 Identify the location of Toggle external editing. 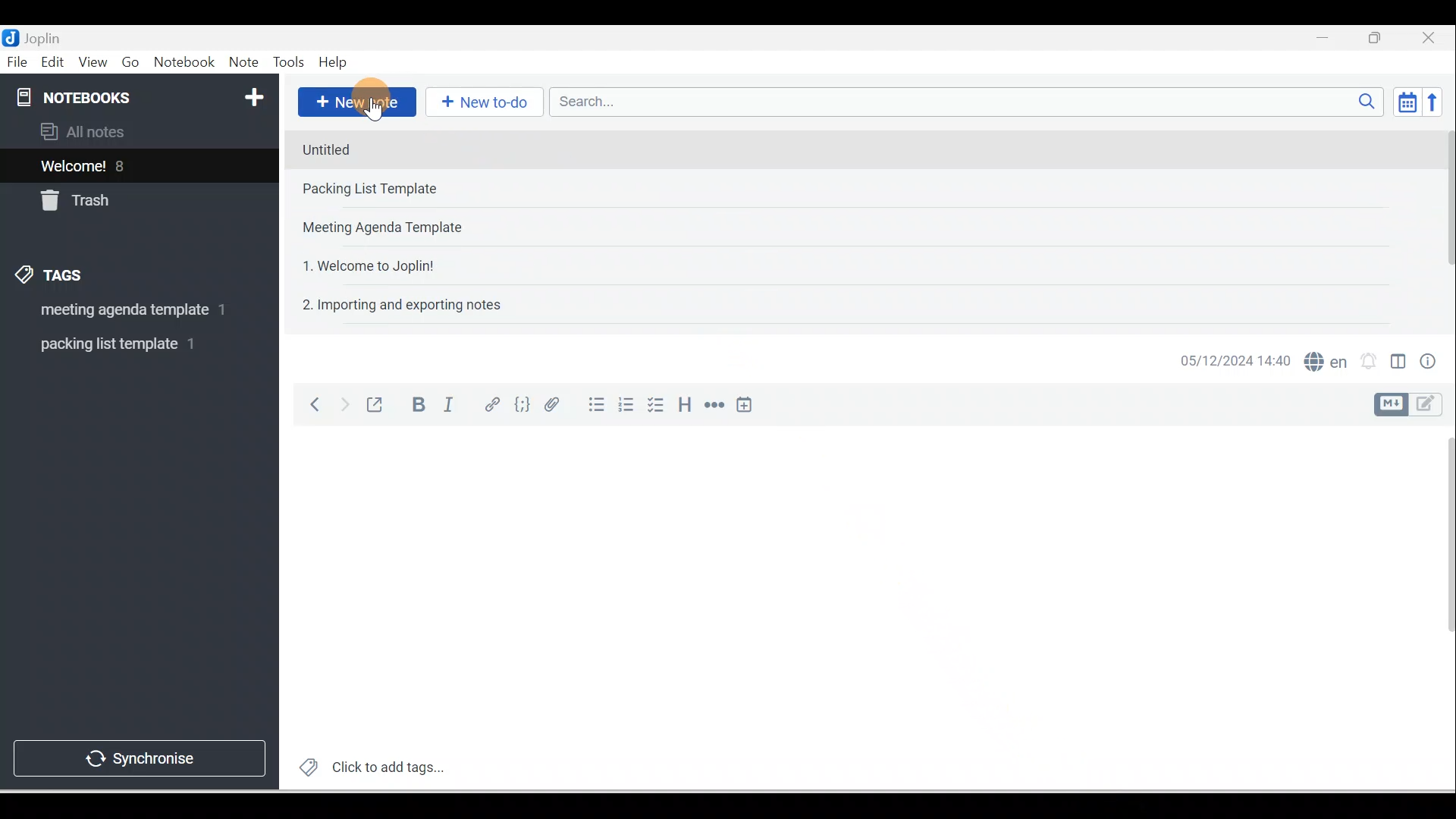
(377, 408).